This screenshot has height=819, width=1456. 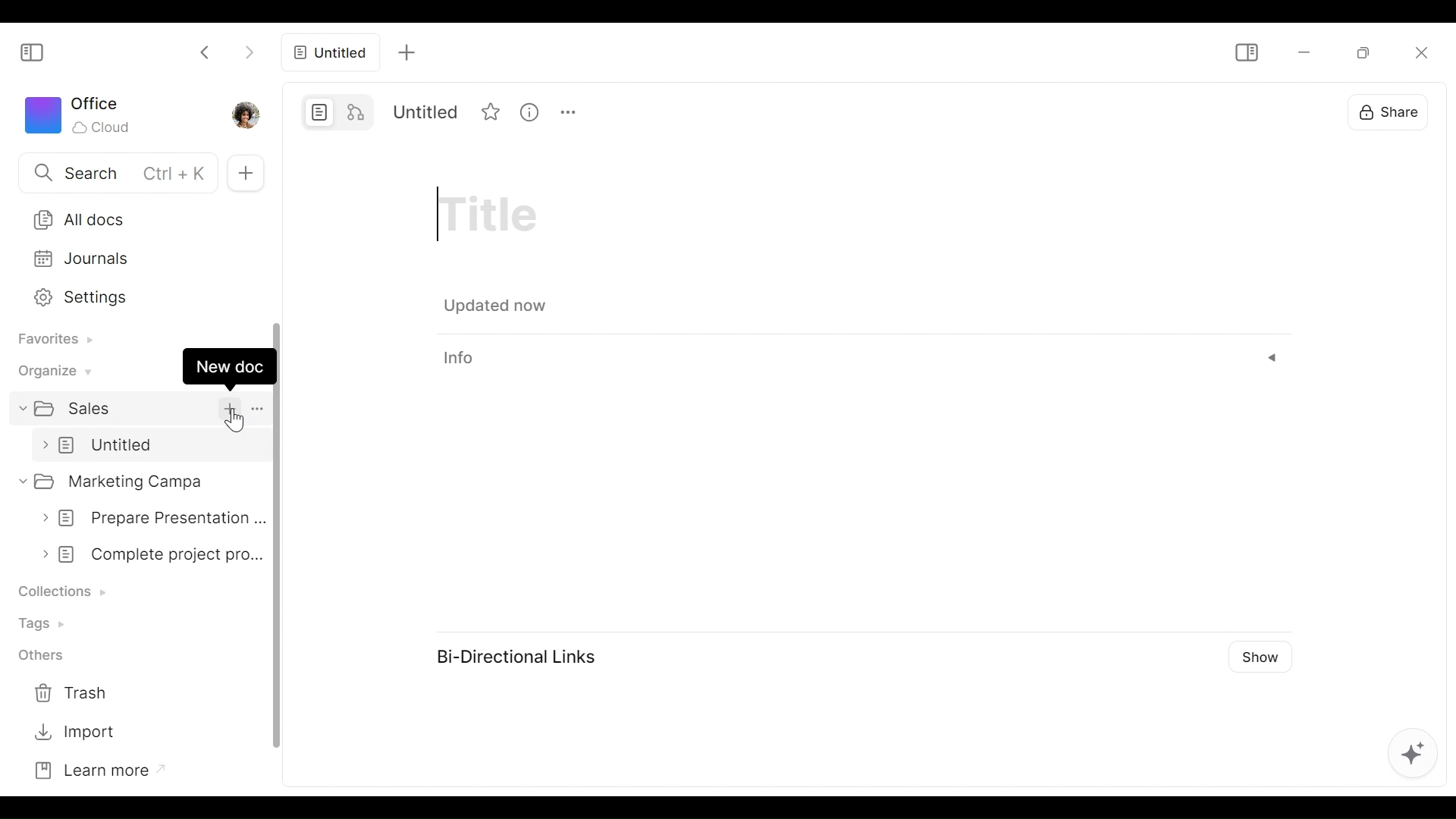 What do you see at coordinates (206, 51) in the screenshot?
I see `Click to go back` at bounding box center [206, 51].